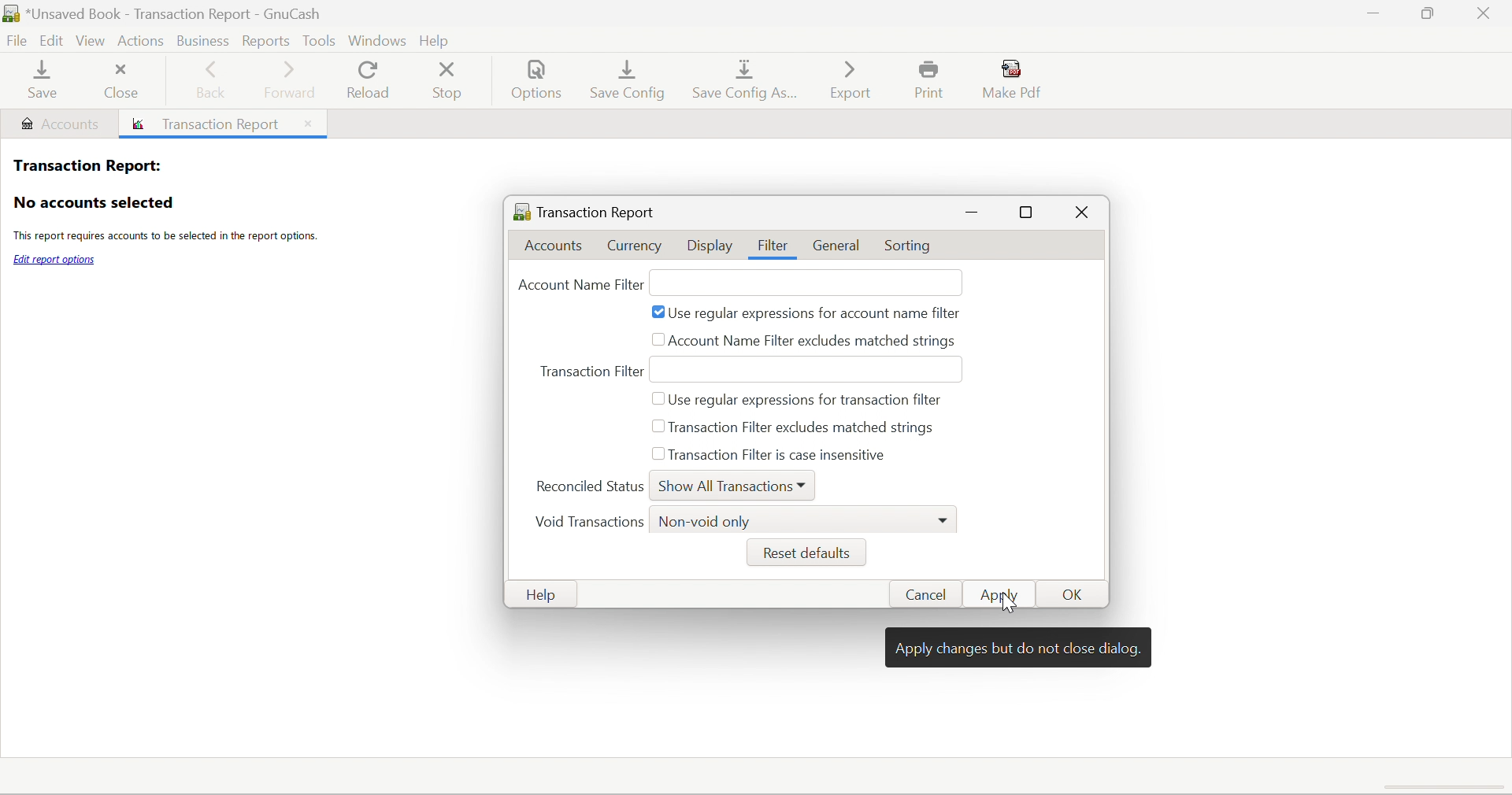 The height and width of the screenshot is (795, 1512). Describe the element at coordinates (584, 209) in the screenshot. I see `Transaction Report` at that location.